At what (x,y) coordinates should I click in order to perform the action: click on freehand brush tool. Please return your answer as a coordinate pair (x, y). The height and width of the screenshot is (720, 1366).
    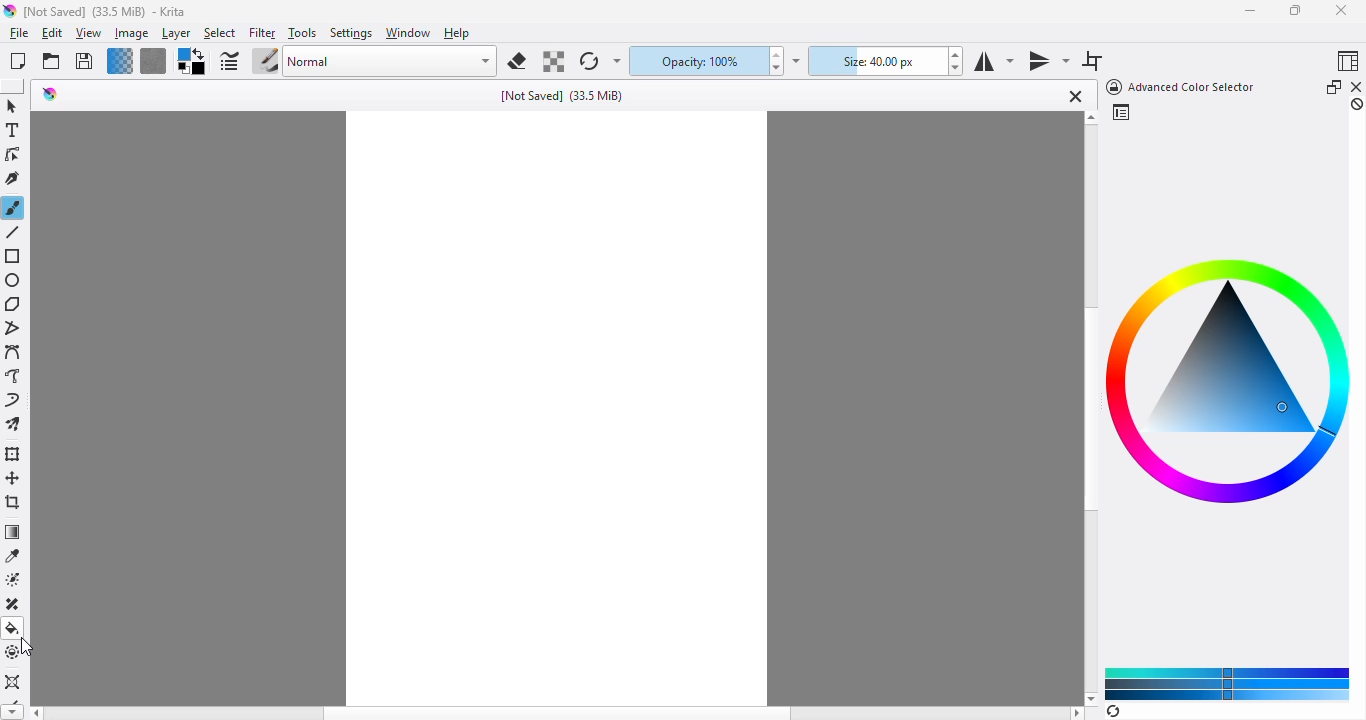
    Looking at the image, I should click on (14, 208).